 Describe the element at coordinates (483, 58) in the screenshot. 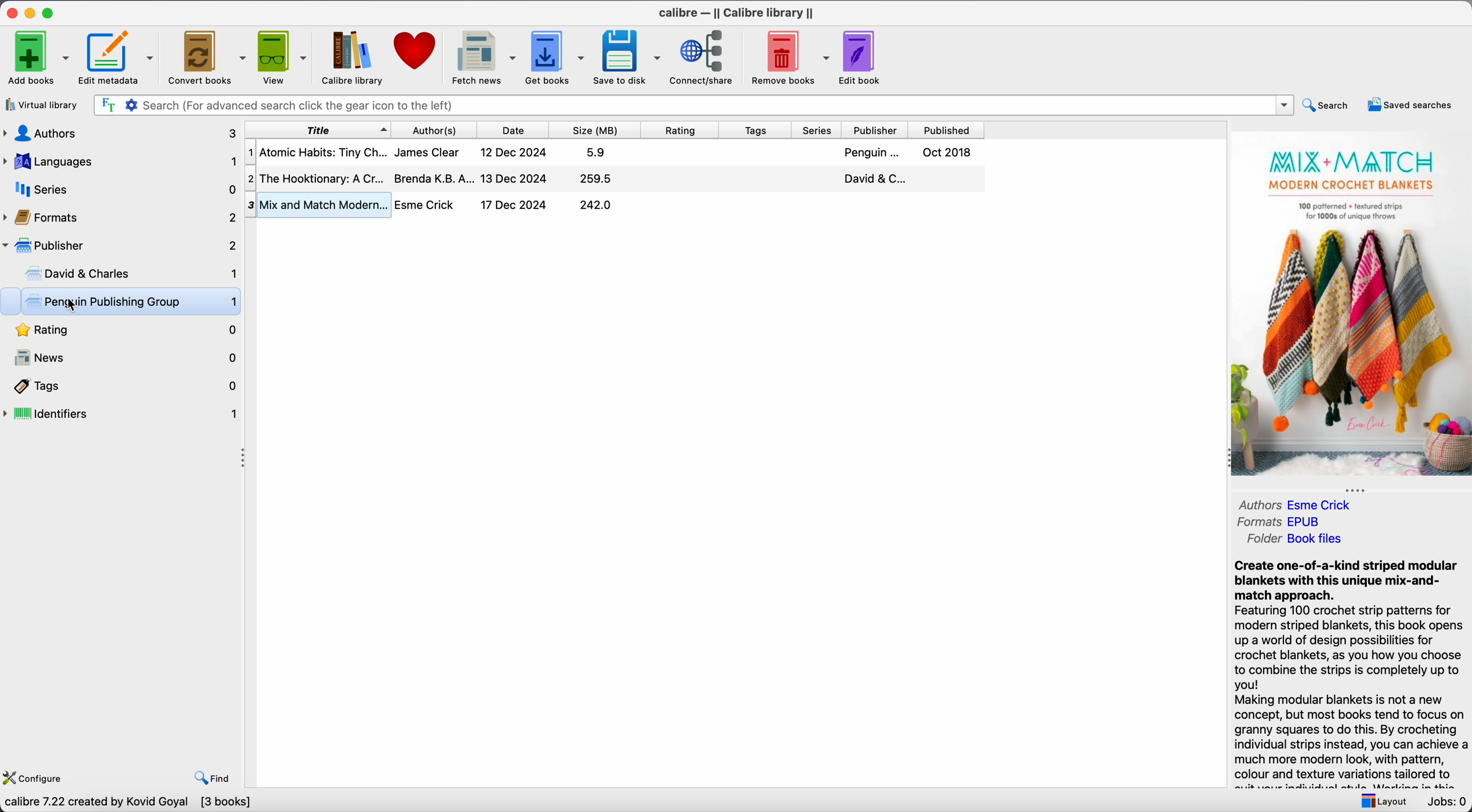

I see `fetch news` at that location.